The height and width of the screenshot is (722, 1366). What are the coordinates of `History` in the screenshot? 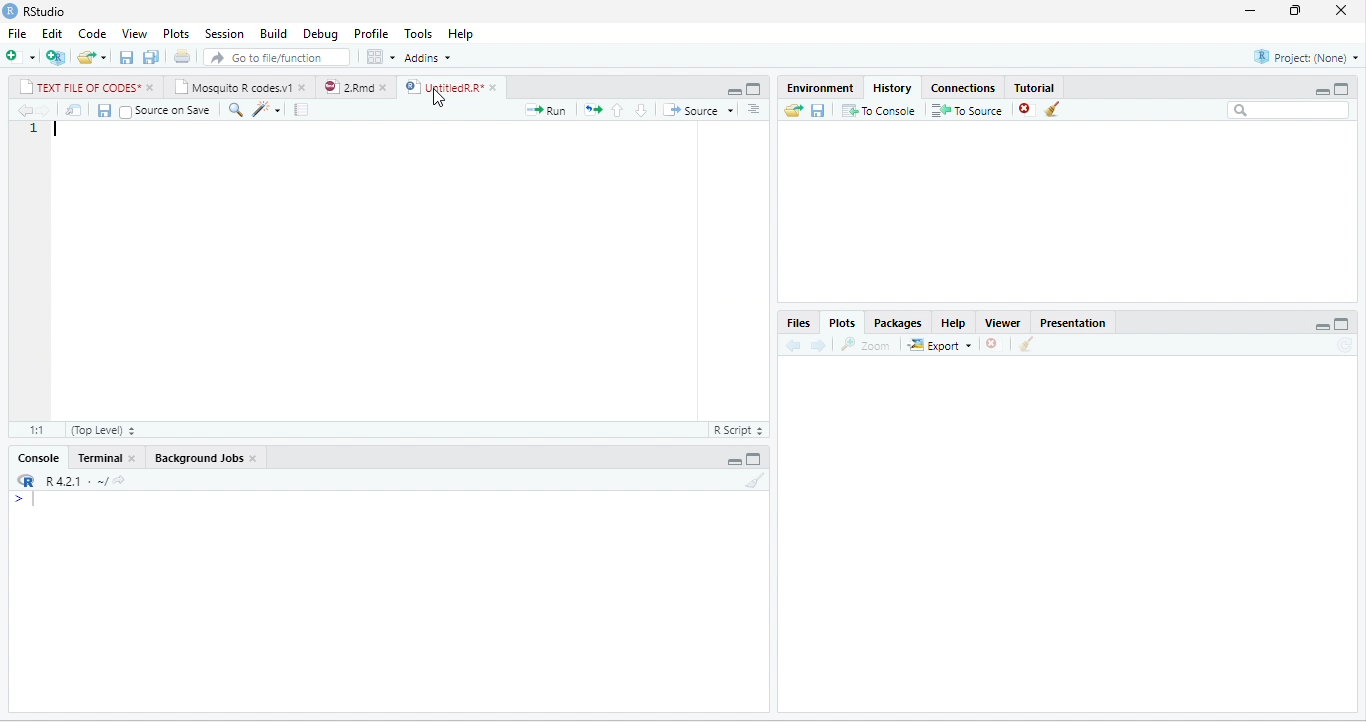 It's located at (892, 88).